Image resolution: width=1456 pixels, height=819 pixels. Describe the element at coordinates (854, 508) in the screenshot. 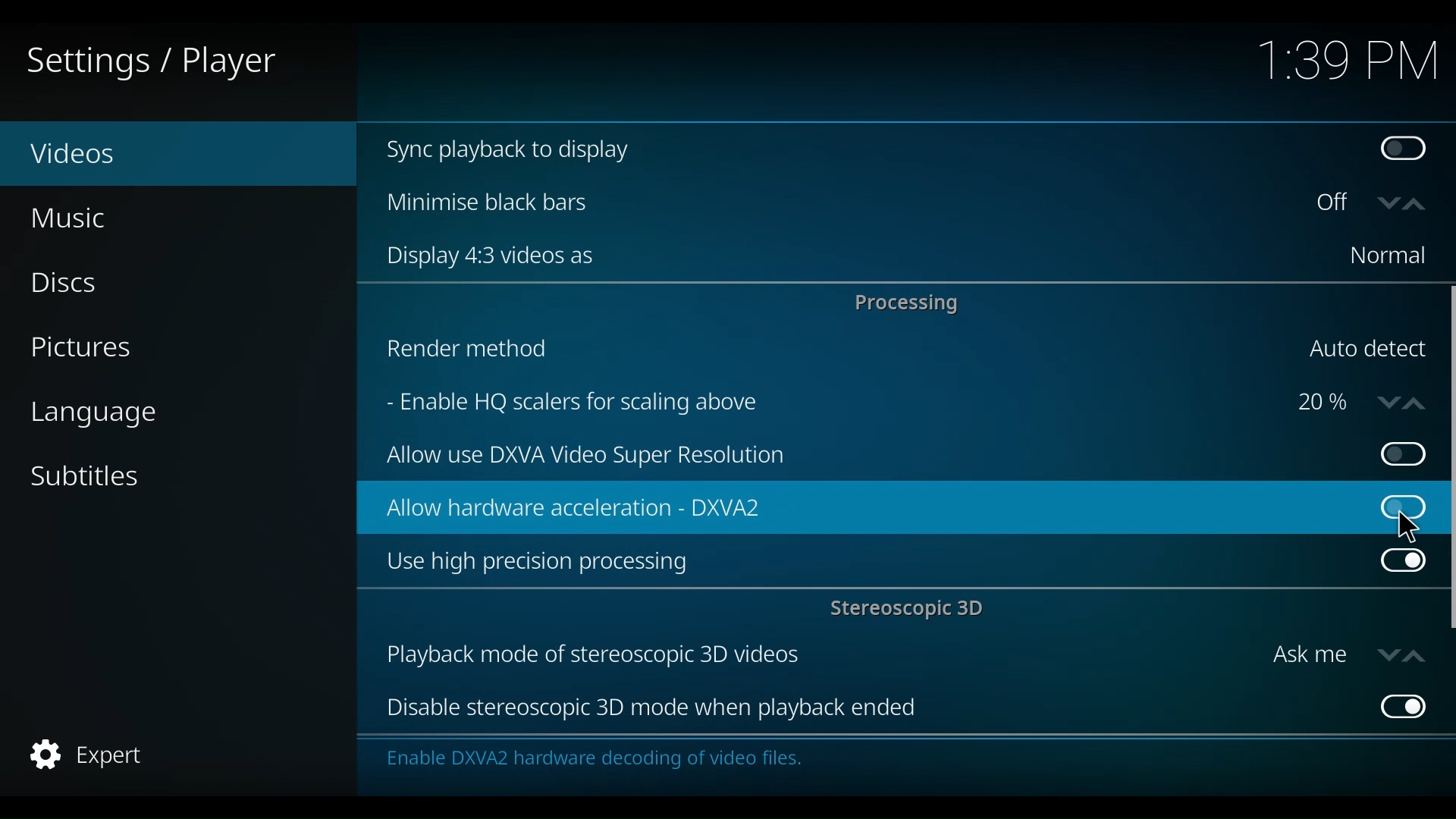

I see `Allow hardware acceleration -DXVA2` at that location.